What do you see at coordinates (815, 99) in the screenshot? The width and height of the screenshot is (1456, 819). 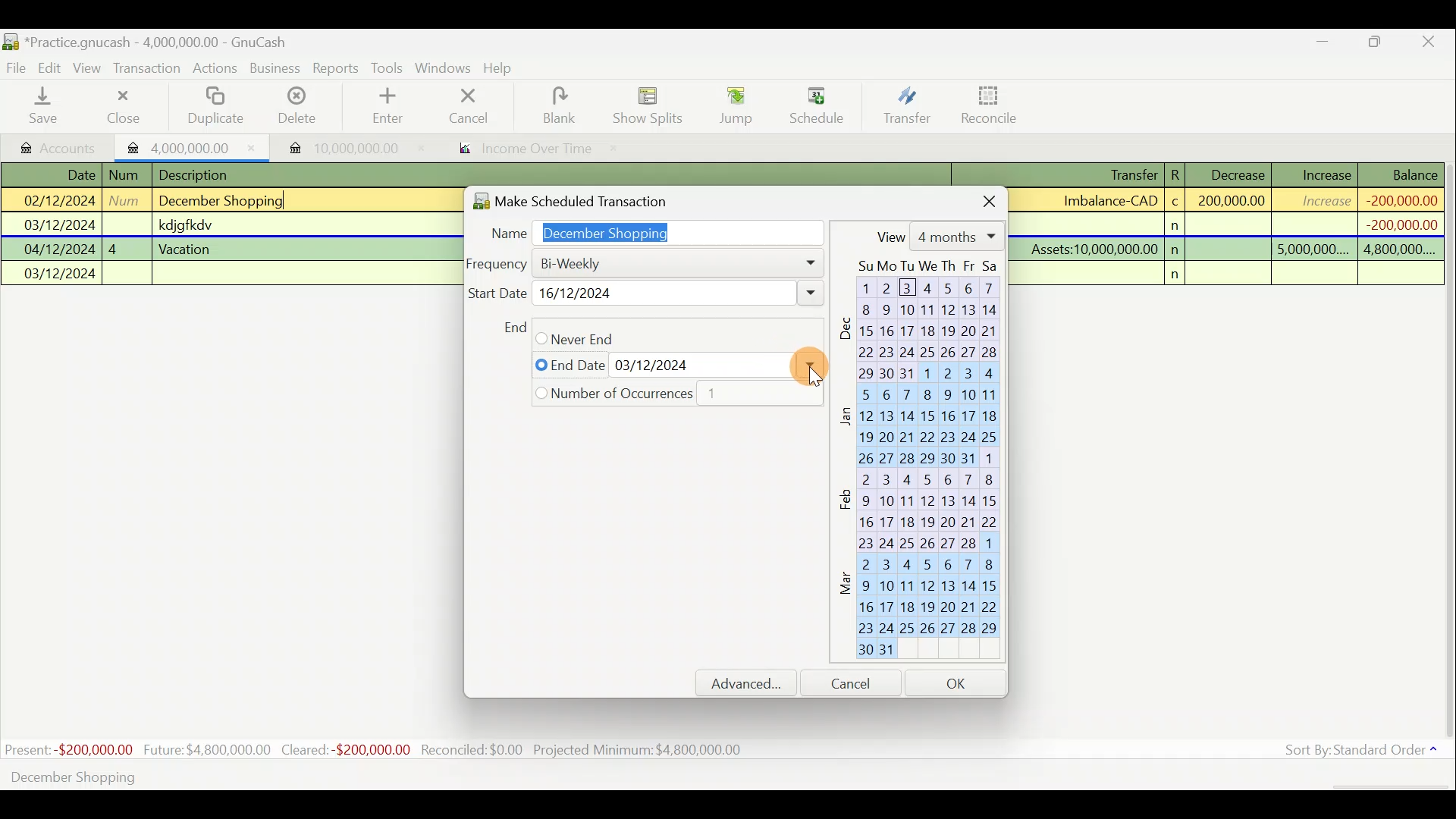 I see `Cursor` at bounding box center [815, 99].